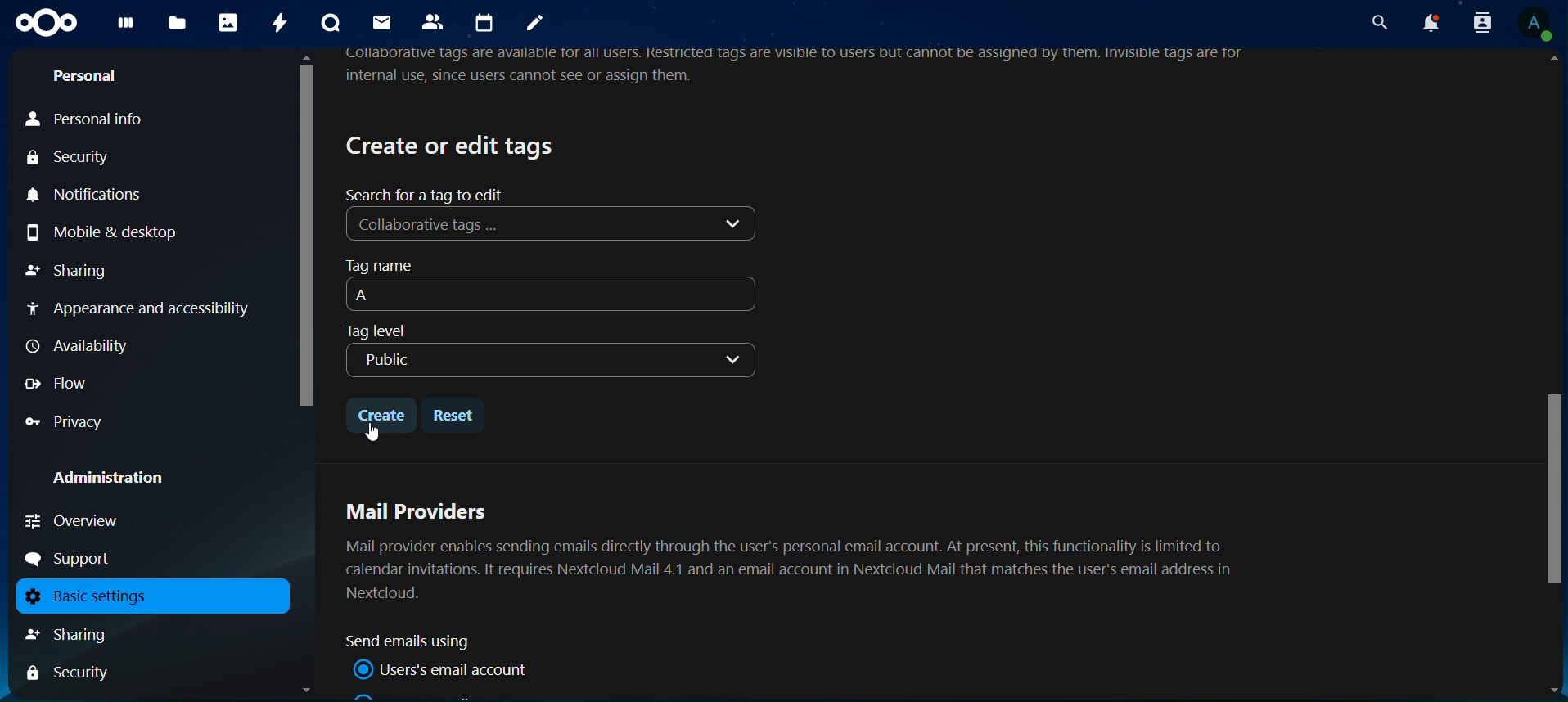 Image resolution: width=1568 pixels, height=702 pixels. I want to click on search, so click(1377, 22).